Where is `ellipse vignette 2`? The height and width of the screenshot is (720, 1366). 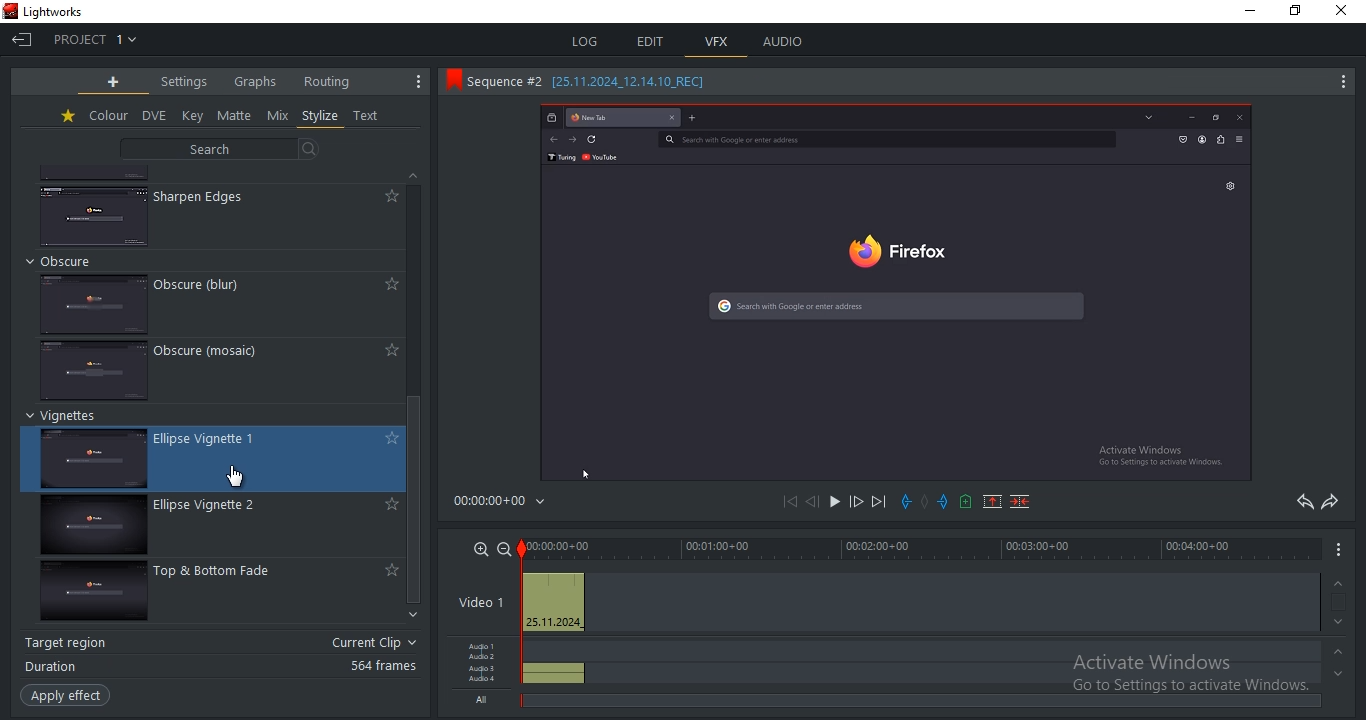 ellipse vignette 2 is located at coordinates (90, 527).